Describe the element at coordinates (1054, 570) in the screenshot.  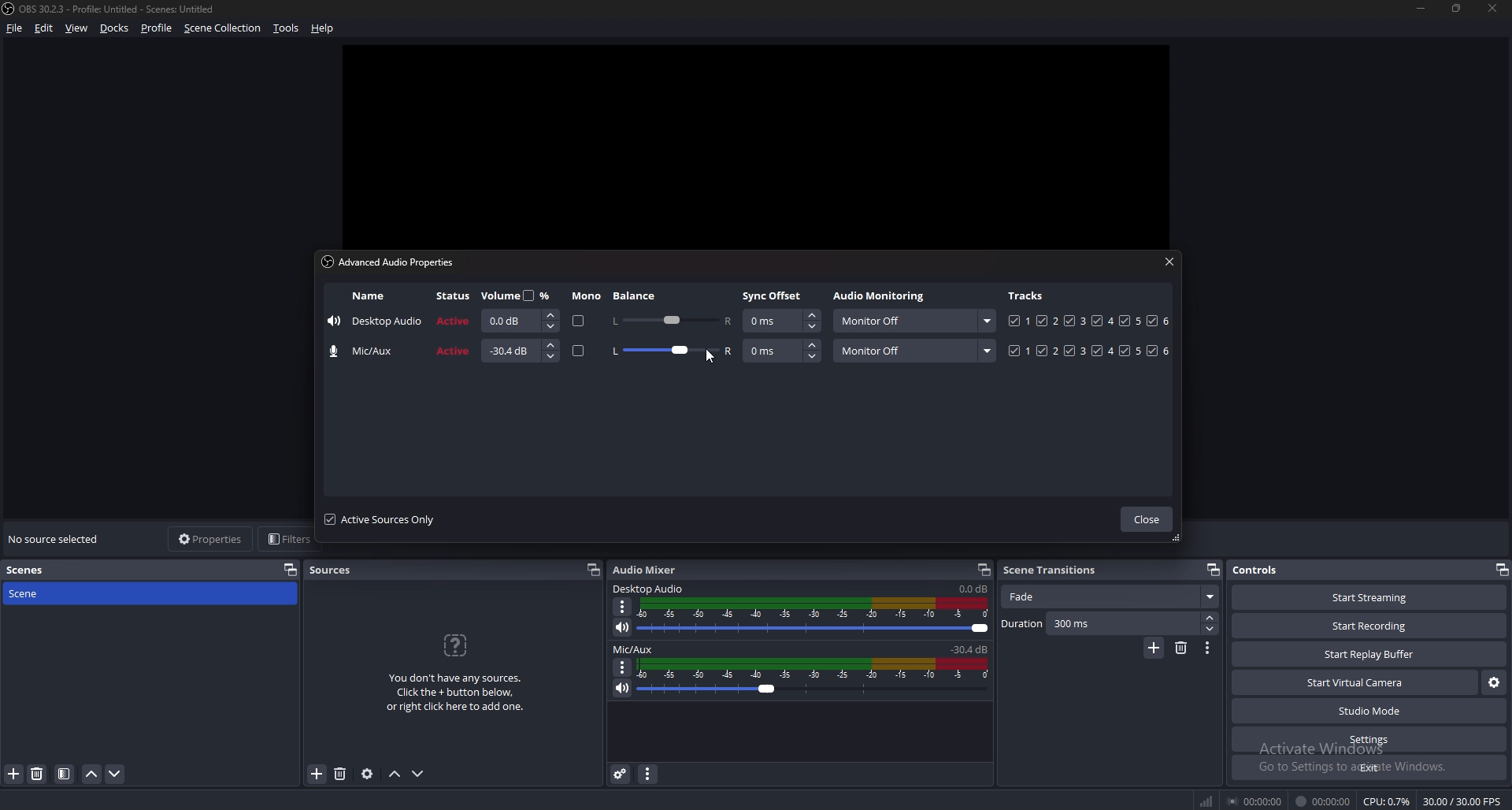
I see `scene transitions` at that location.